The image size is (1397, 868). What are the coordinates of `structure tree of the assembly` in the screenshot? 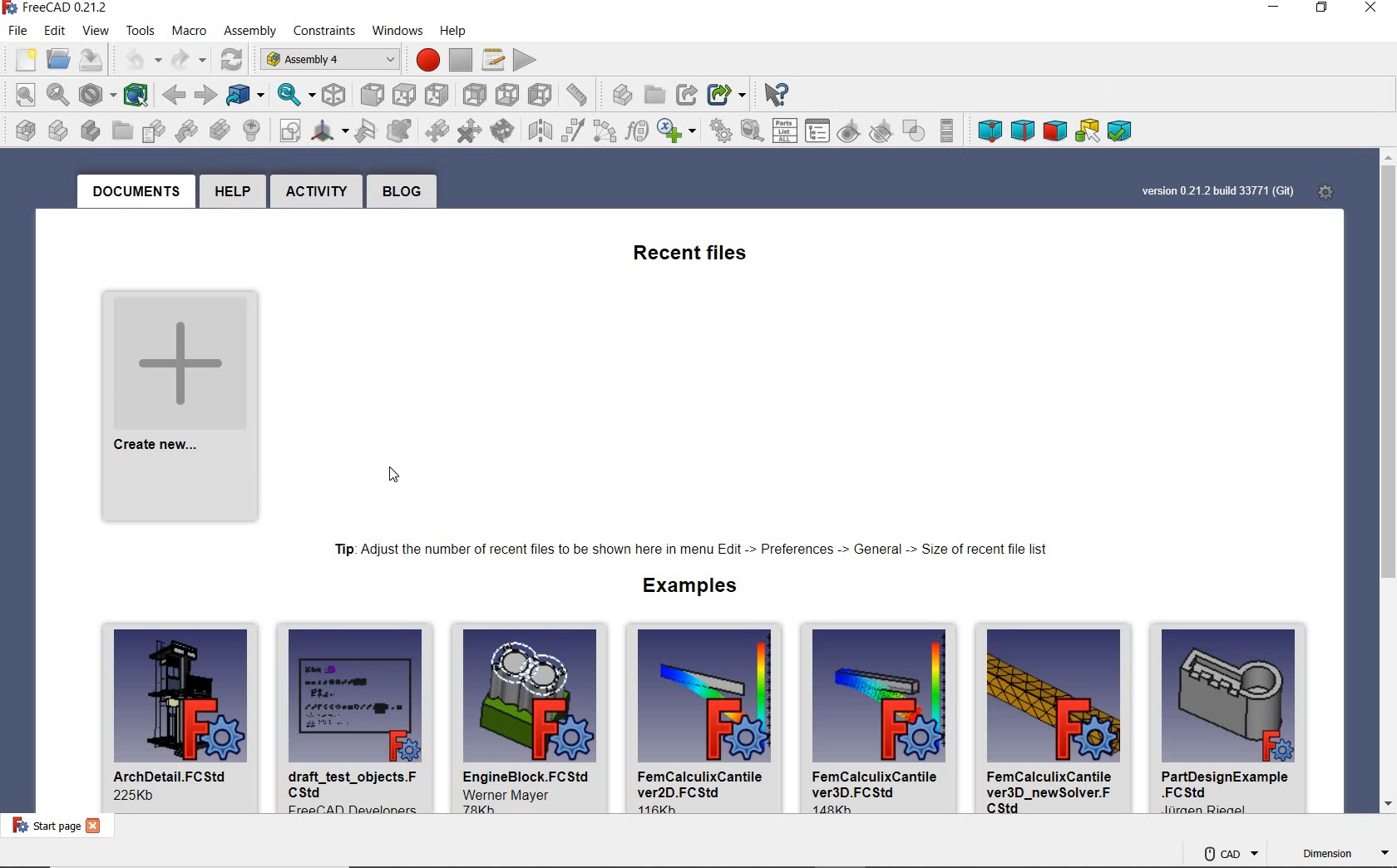 It's located at (818, 131).